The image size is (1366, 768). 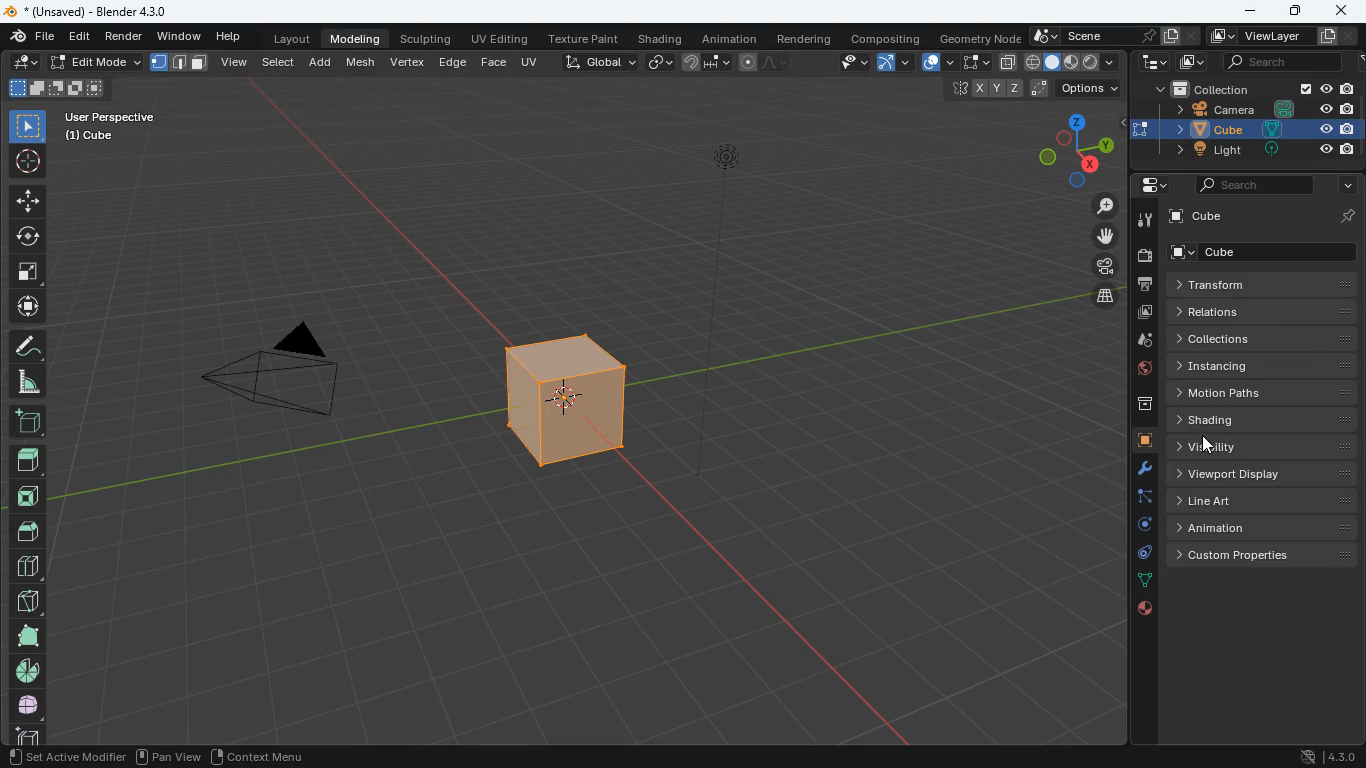 What do you see at coordinates (29, 383) in the screenshot?
I see `angle` at bounding box center [29, 383].